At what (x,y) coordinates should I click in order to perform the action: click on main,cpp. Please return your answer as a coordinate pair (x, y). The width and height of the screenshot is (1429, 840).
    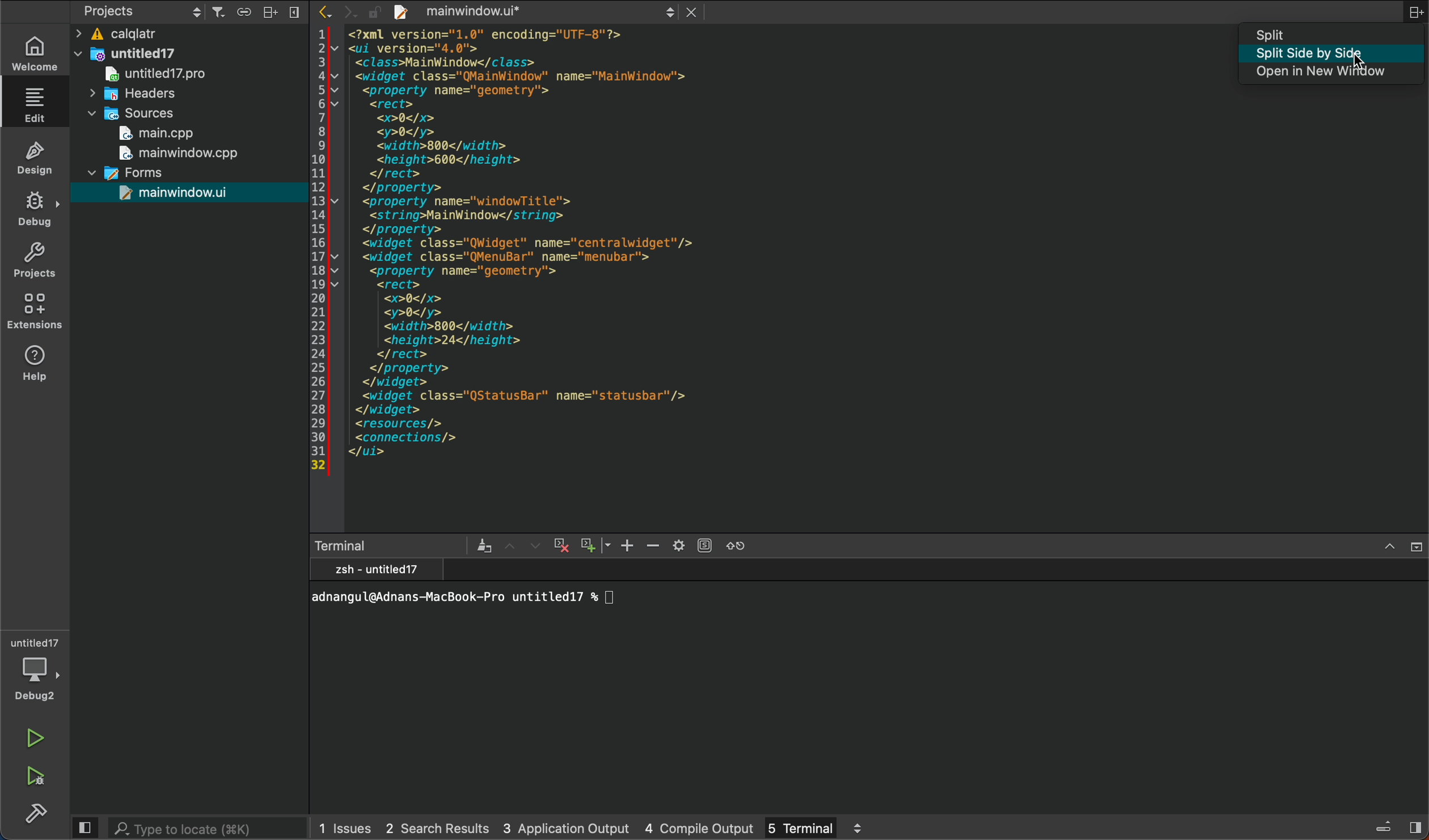
    Looking at the image, I should click on (164, 134).